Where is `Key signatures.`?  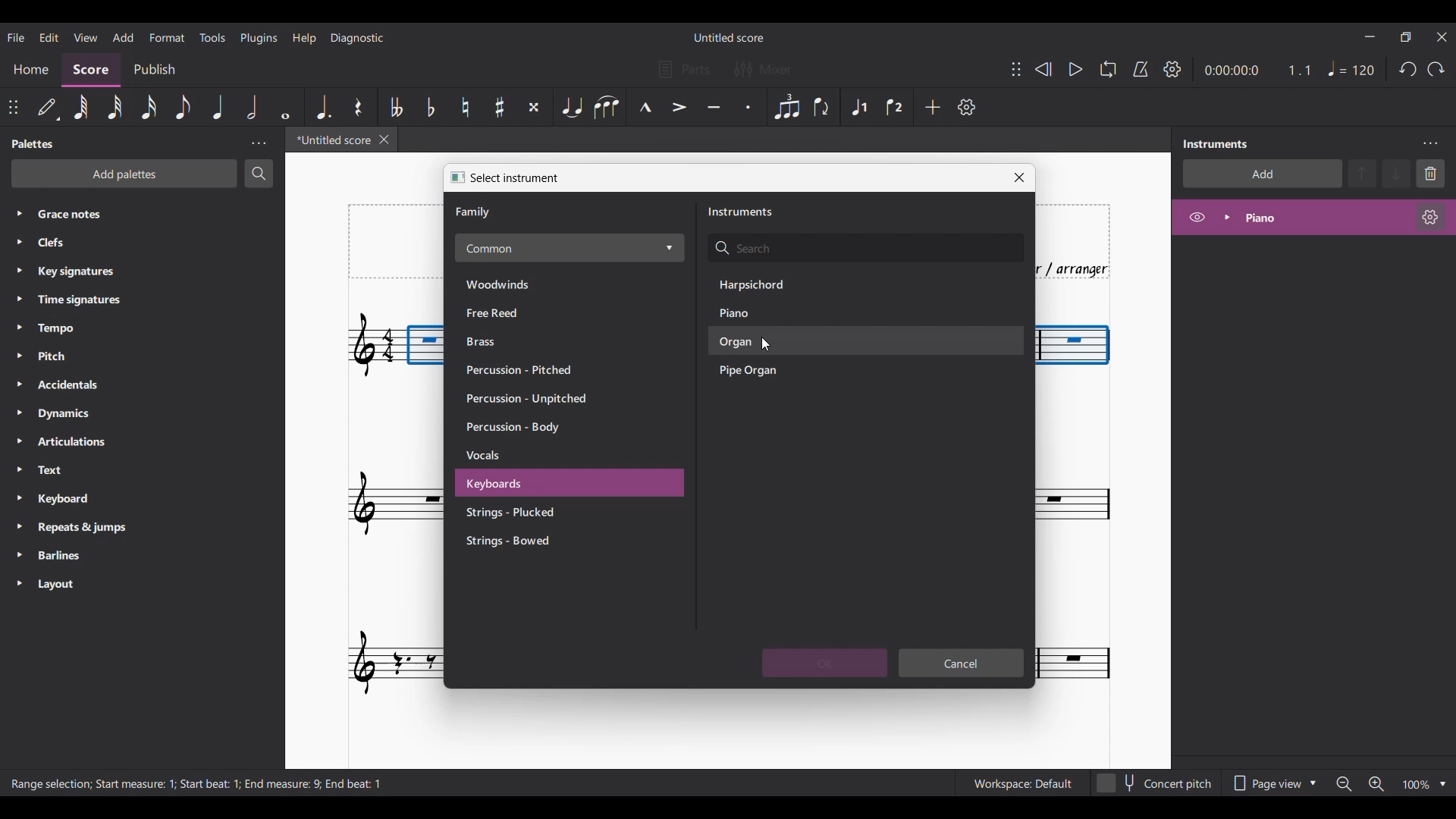 Key signatures. is located at coordinates (89, 273).